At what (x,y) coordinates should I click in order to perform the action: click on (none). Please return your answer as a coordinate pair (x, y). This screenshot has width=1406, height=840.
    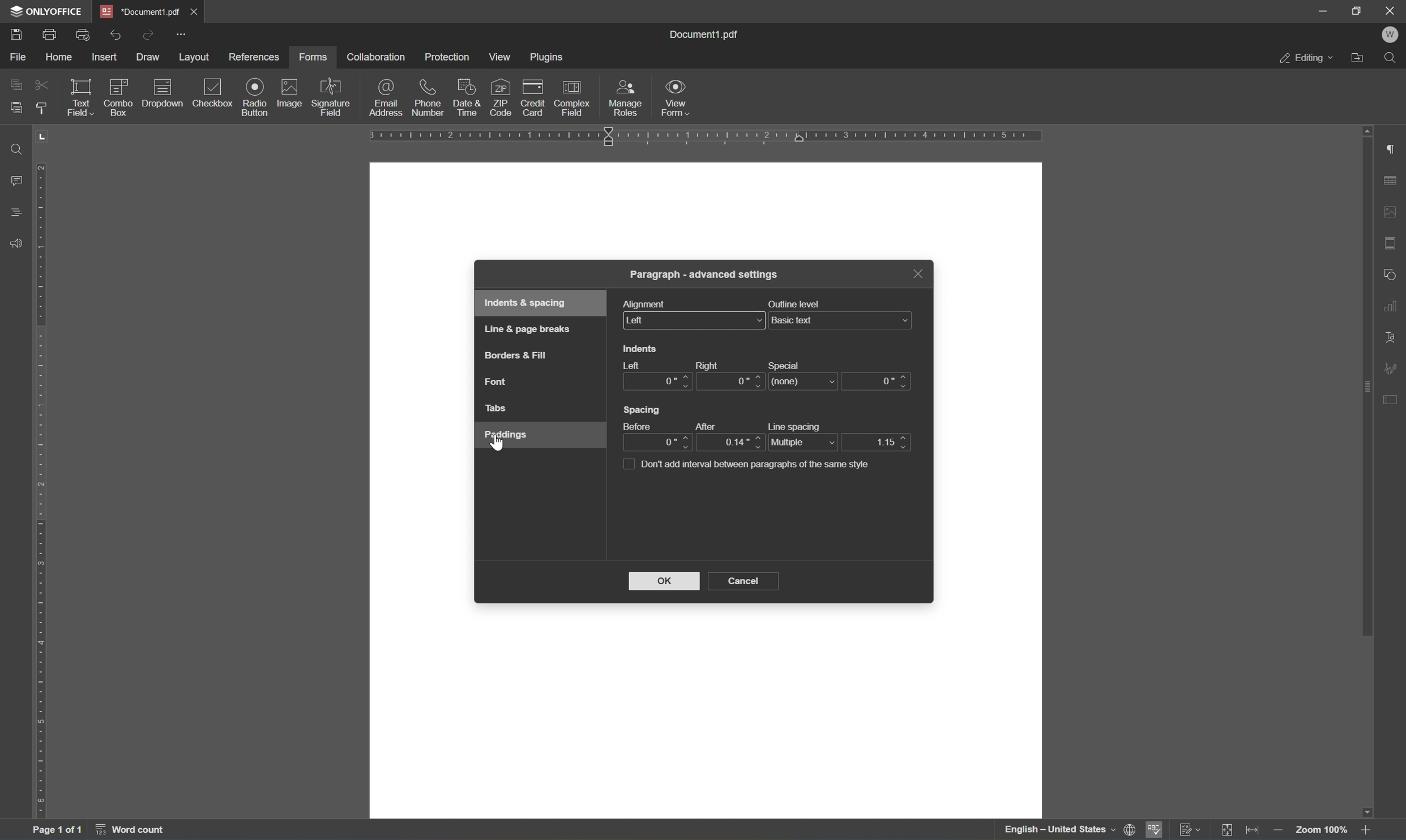
    Looking at the image, I should click on (805, 380).